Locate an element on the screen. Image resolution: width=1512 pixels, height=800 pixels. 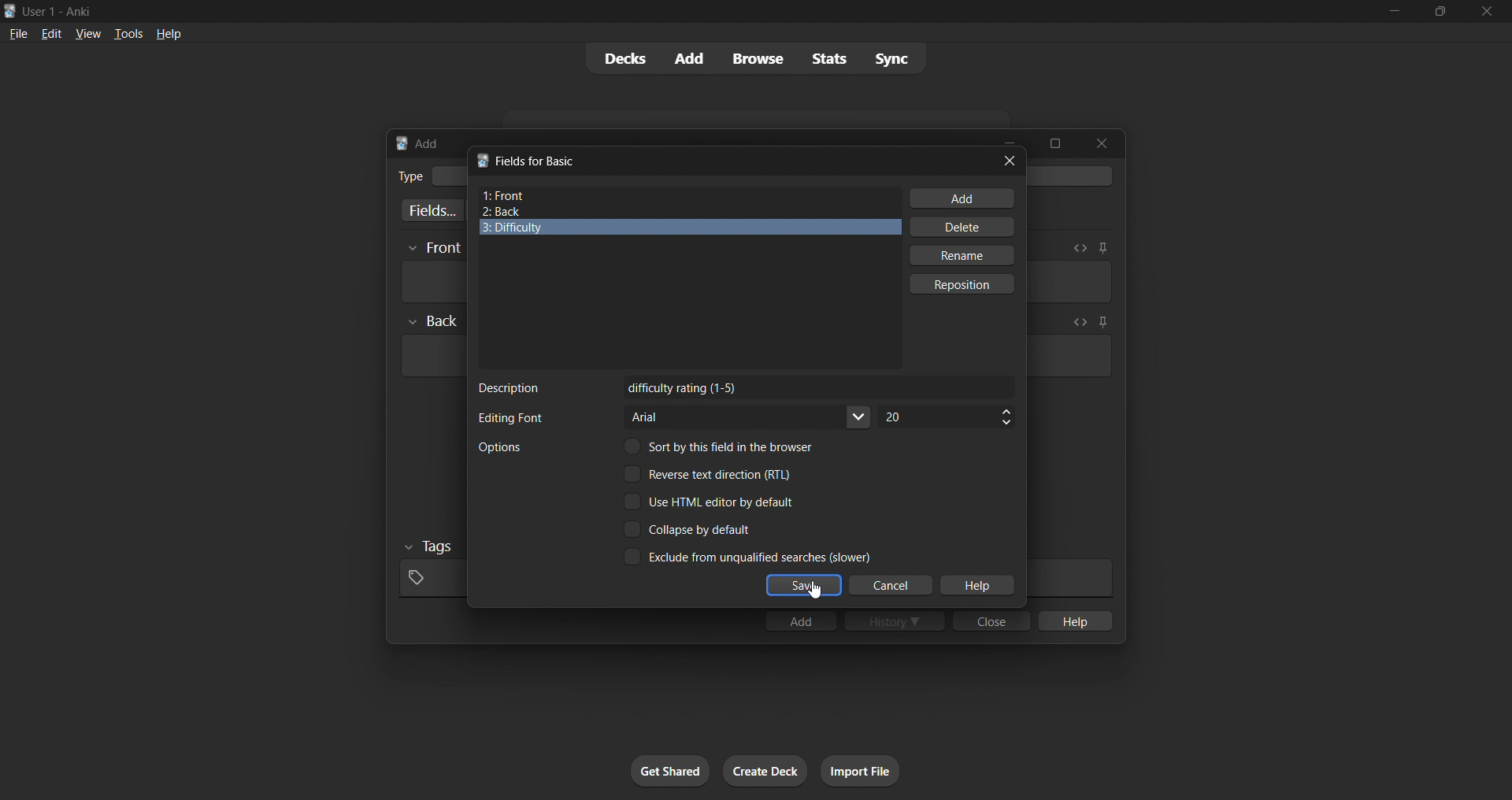
reposition is located at coordinates (964, 284).